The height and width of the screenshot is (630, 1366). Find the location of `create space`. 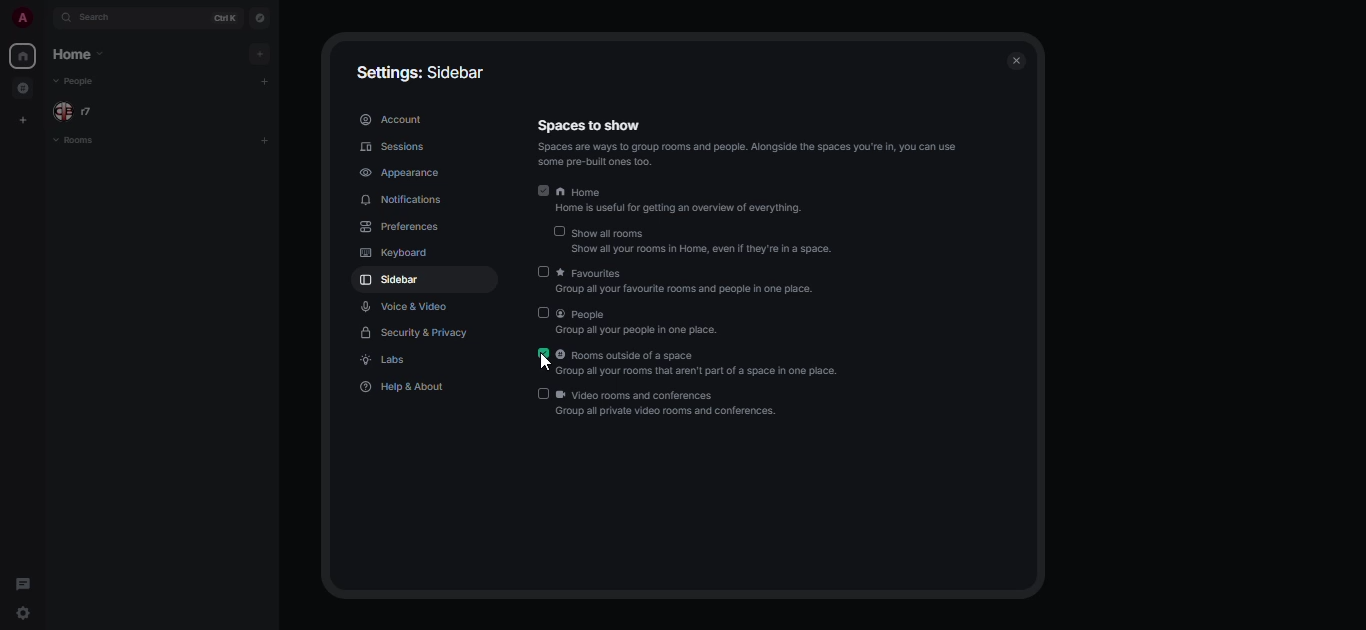

create space is located at coordinates (22, 121).